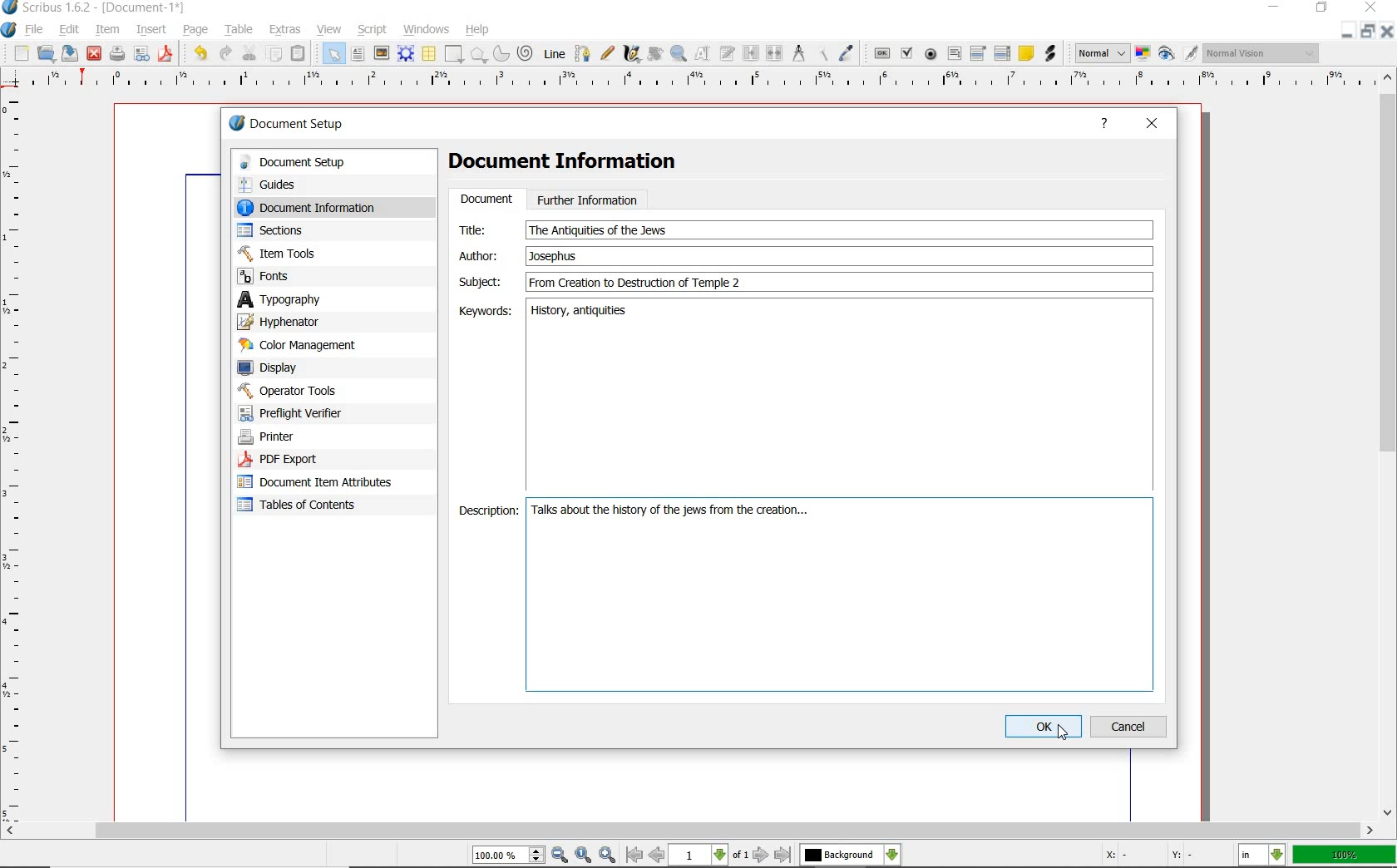 The width and height of the screenshot is (1397, 868). Describe the element at coordinates (108, 31) in the screenshot. I see `item` at that location.